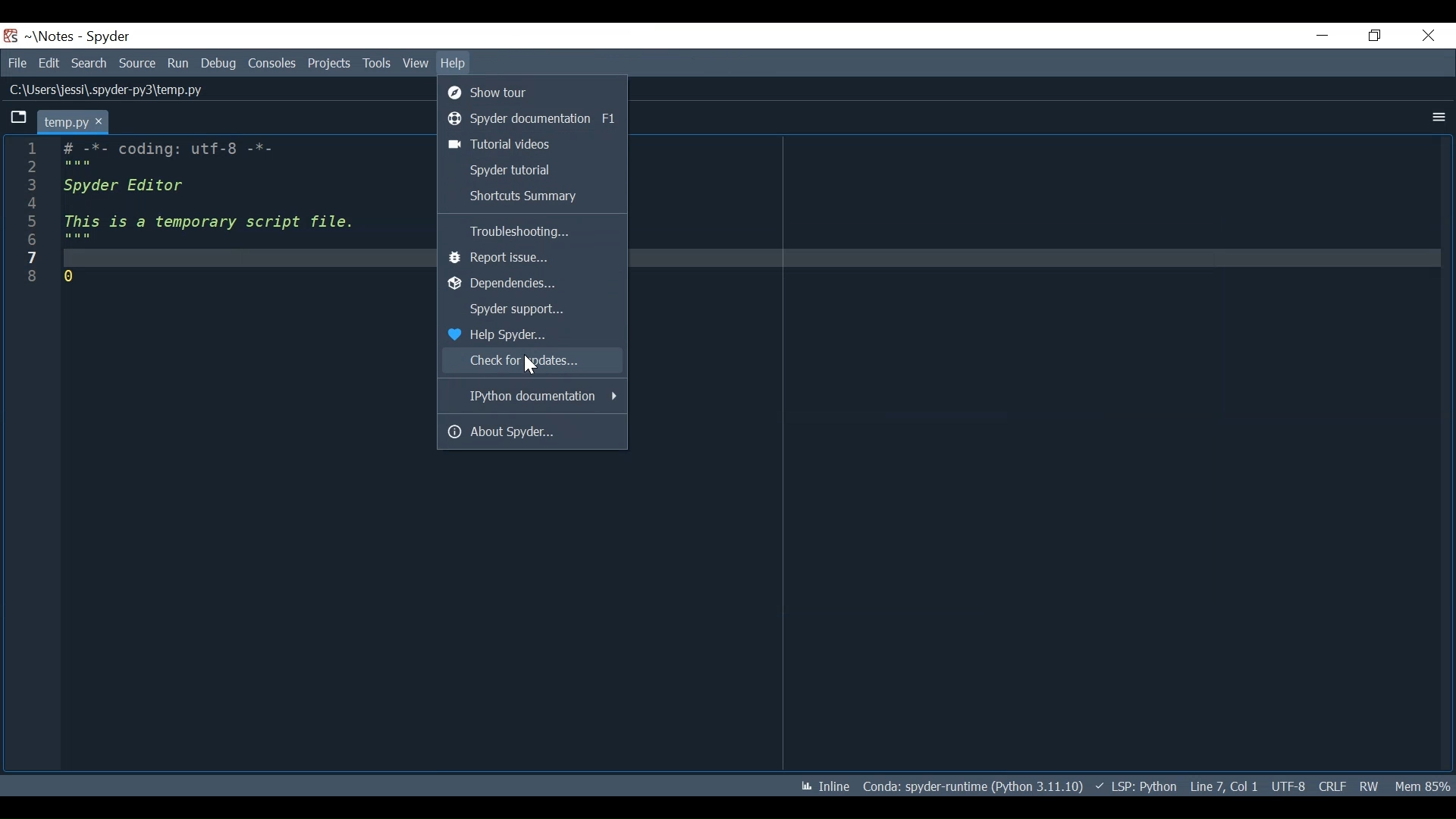 The height and width of the screenshot is (819, 1456). I want to click on Consoles, so click(274, 63).